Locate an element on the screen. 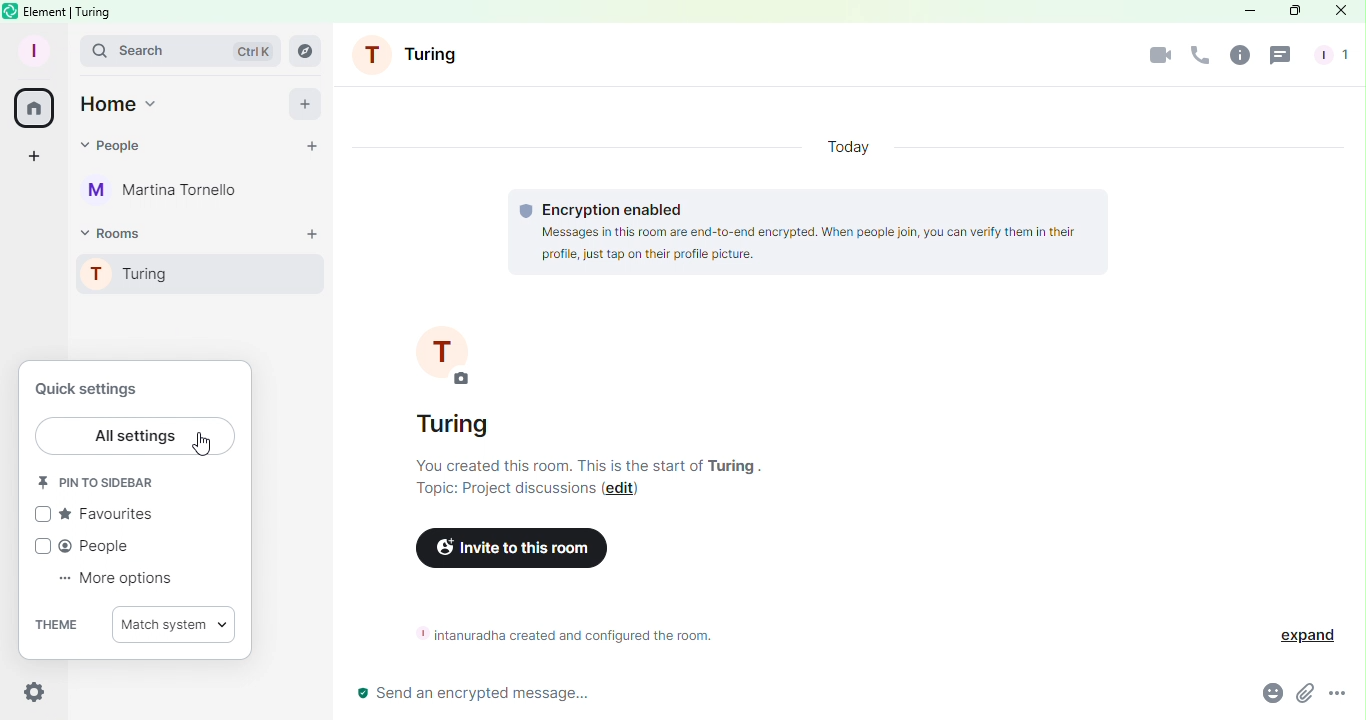 The height and width of the screenshot is (720, 1366). Room information is located at coordinates (559, 632).